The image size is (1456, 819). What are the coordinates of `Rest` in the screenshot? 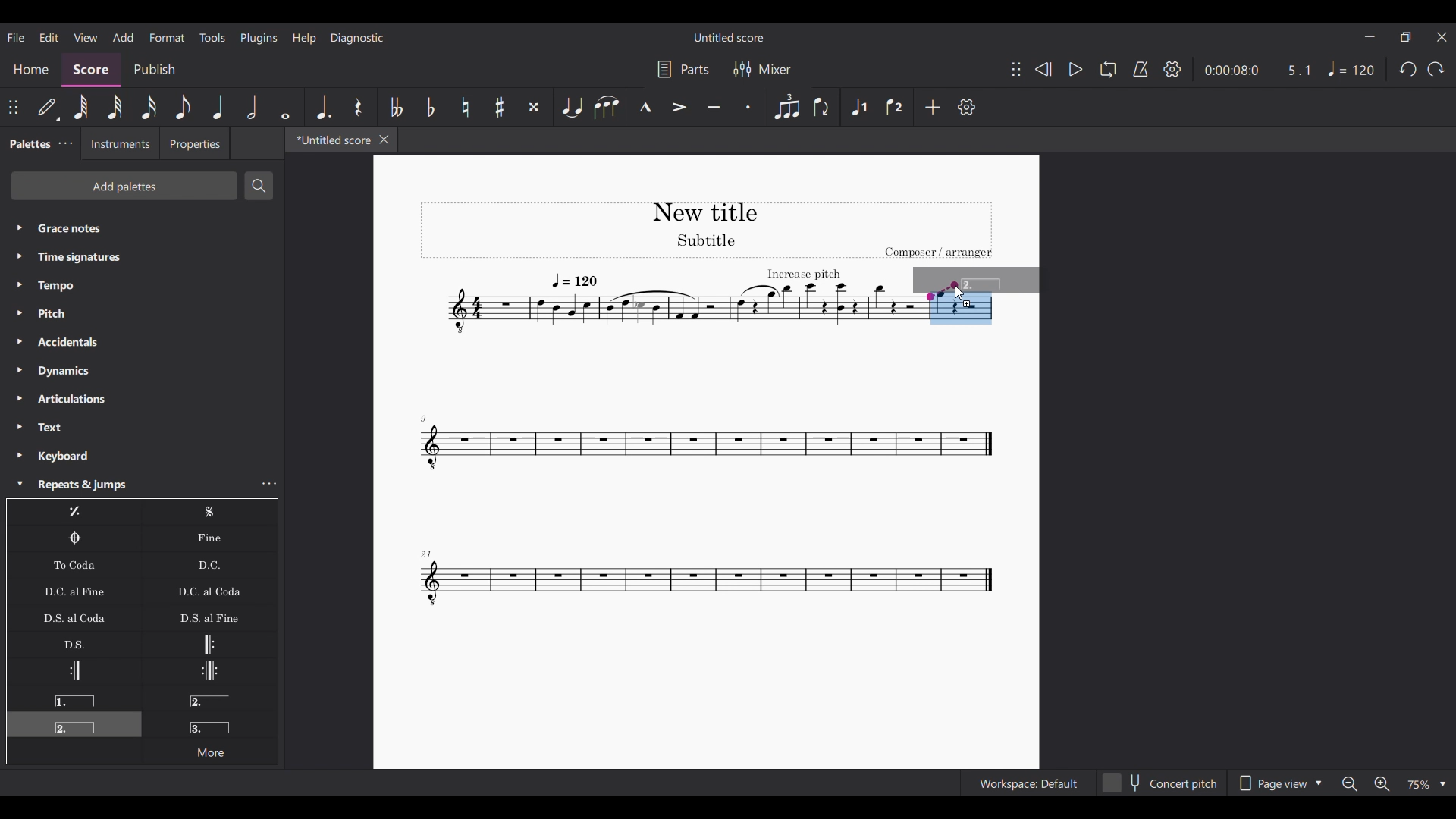 It's located at (359, 107).